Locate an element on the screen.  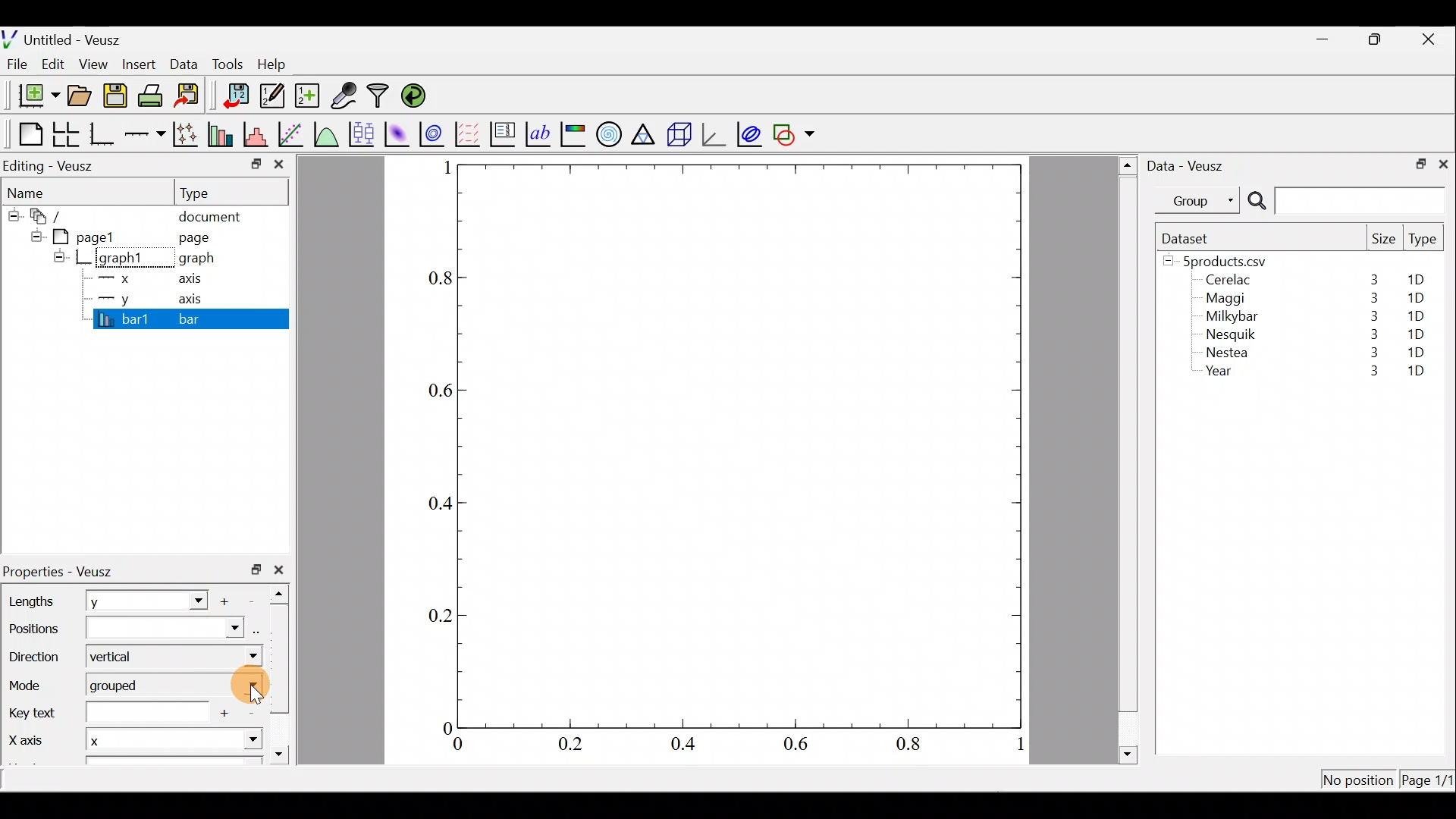
Plot a function is located at coordinates (327, 133).